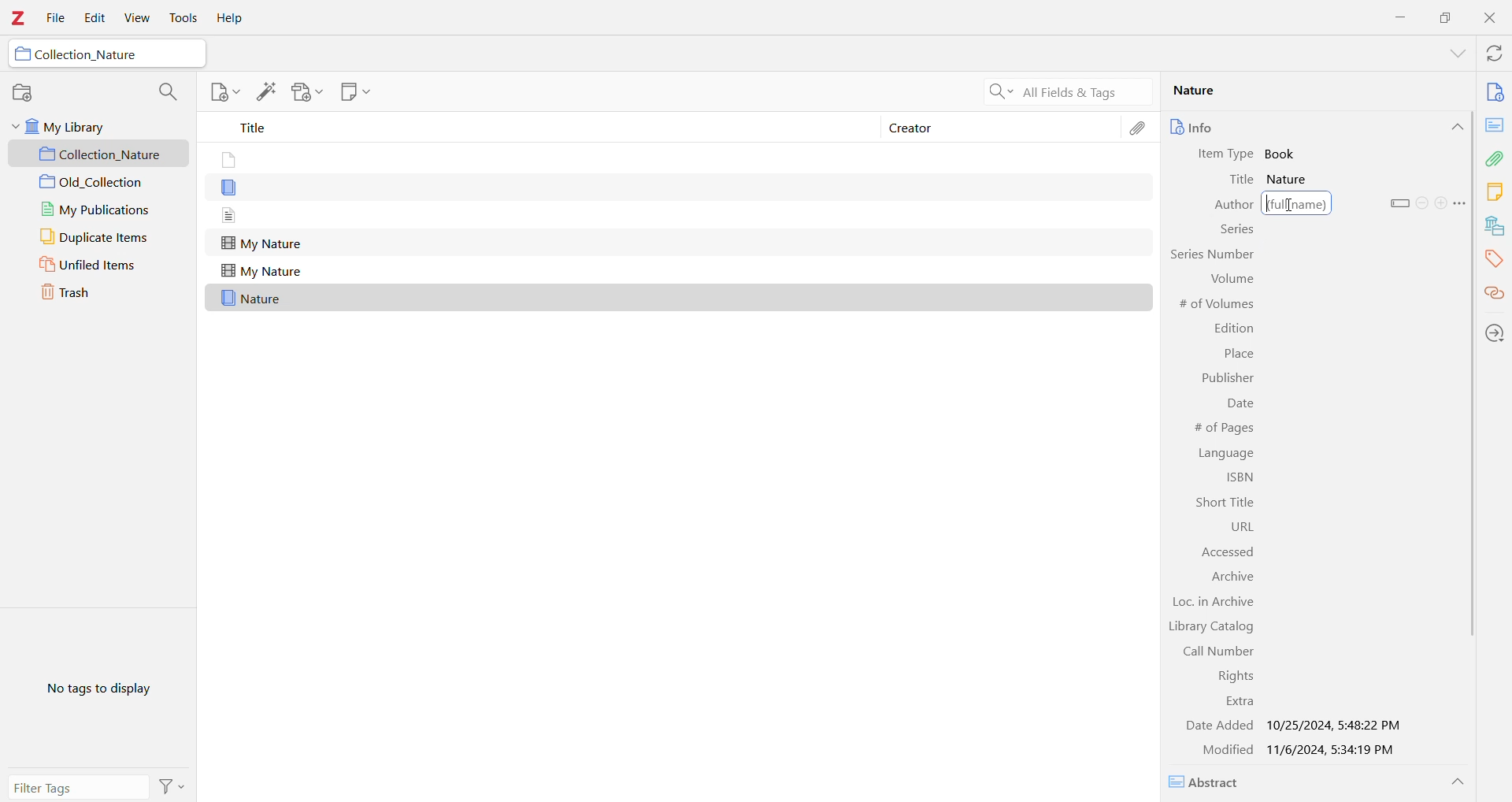  I want to click on Collapse Section, so click(1458, 782).